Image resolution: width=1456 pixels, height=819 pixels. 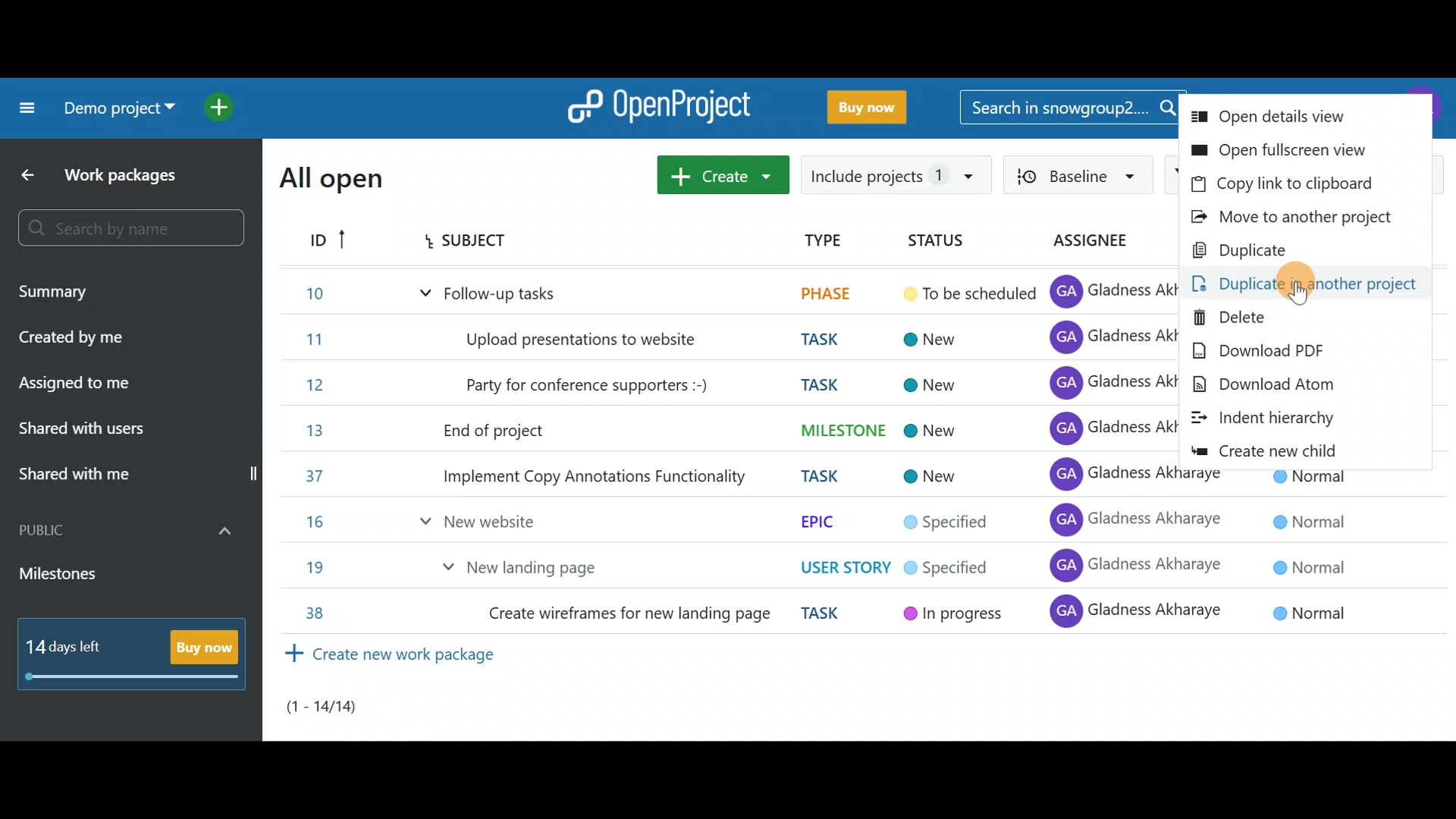 I want to click on TASK, so click(x=809, y=338).